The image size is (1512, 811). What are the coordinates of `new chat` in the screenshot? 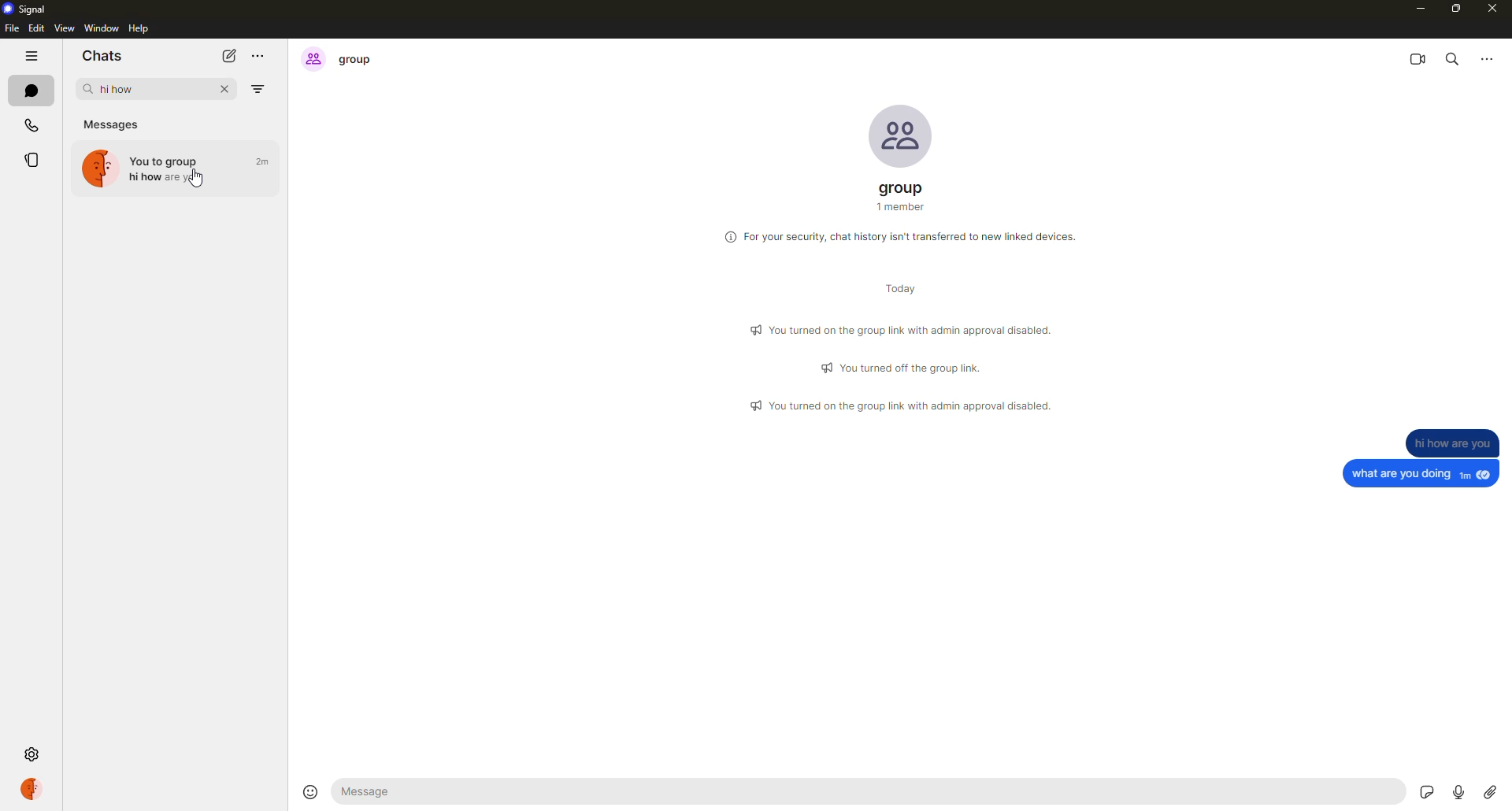 It's located at (228, 56).